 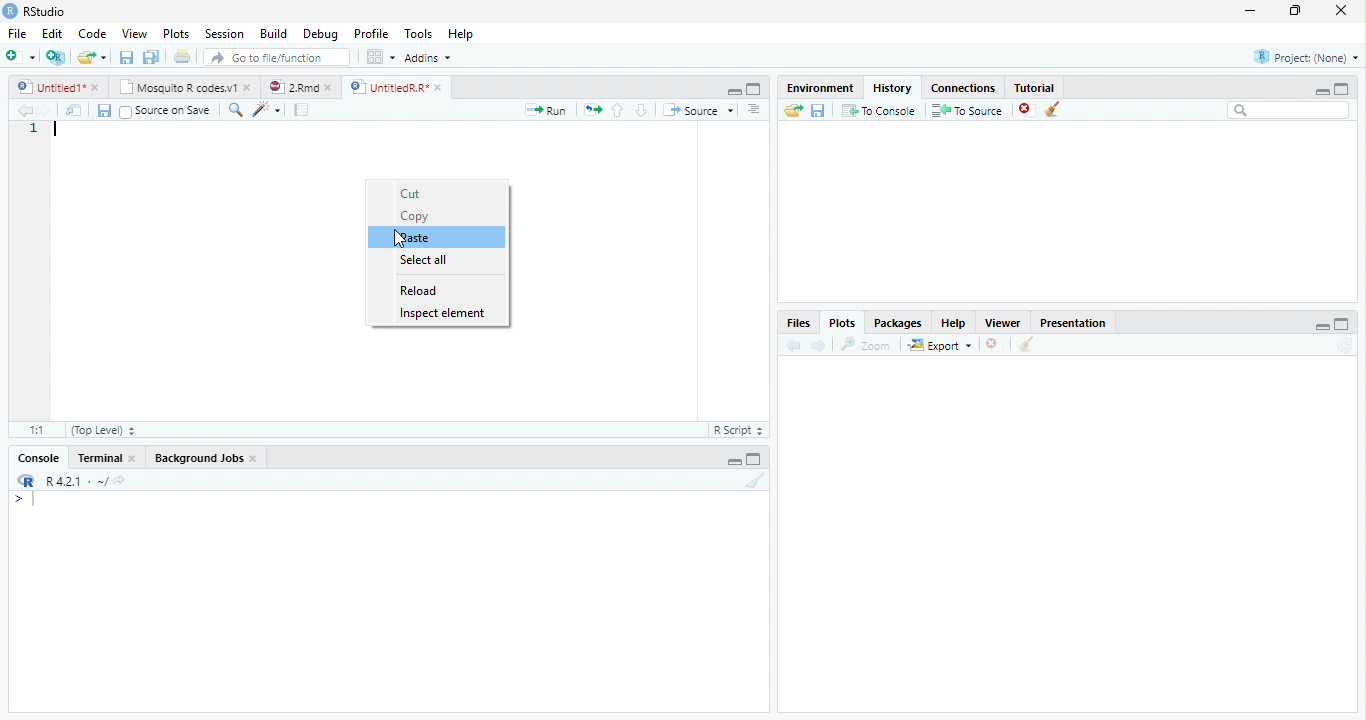 I want to click on To source, so click(x=968, y=111).